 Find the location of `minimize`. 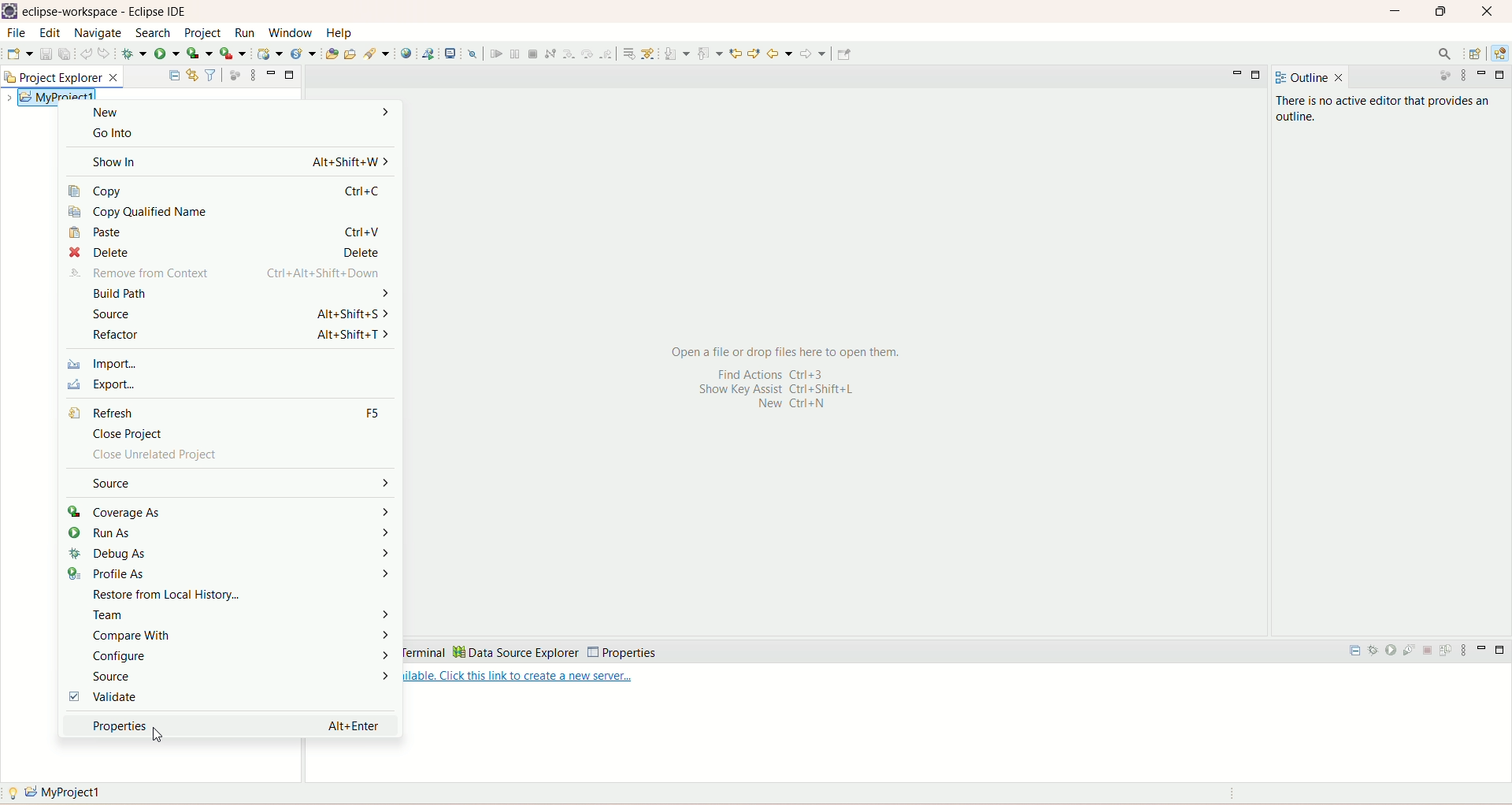

minimize is located at coordinates (1481, 72).